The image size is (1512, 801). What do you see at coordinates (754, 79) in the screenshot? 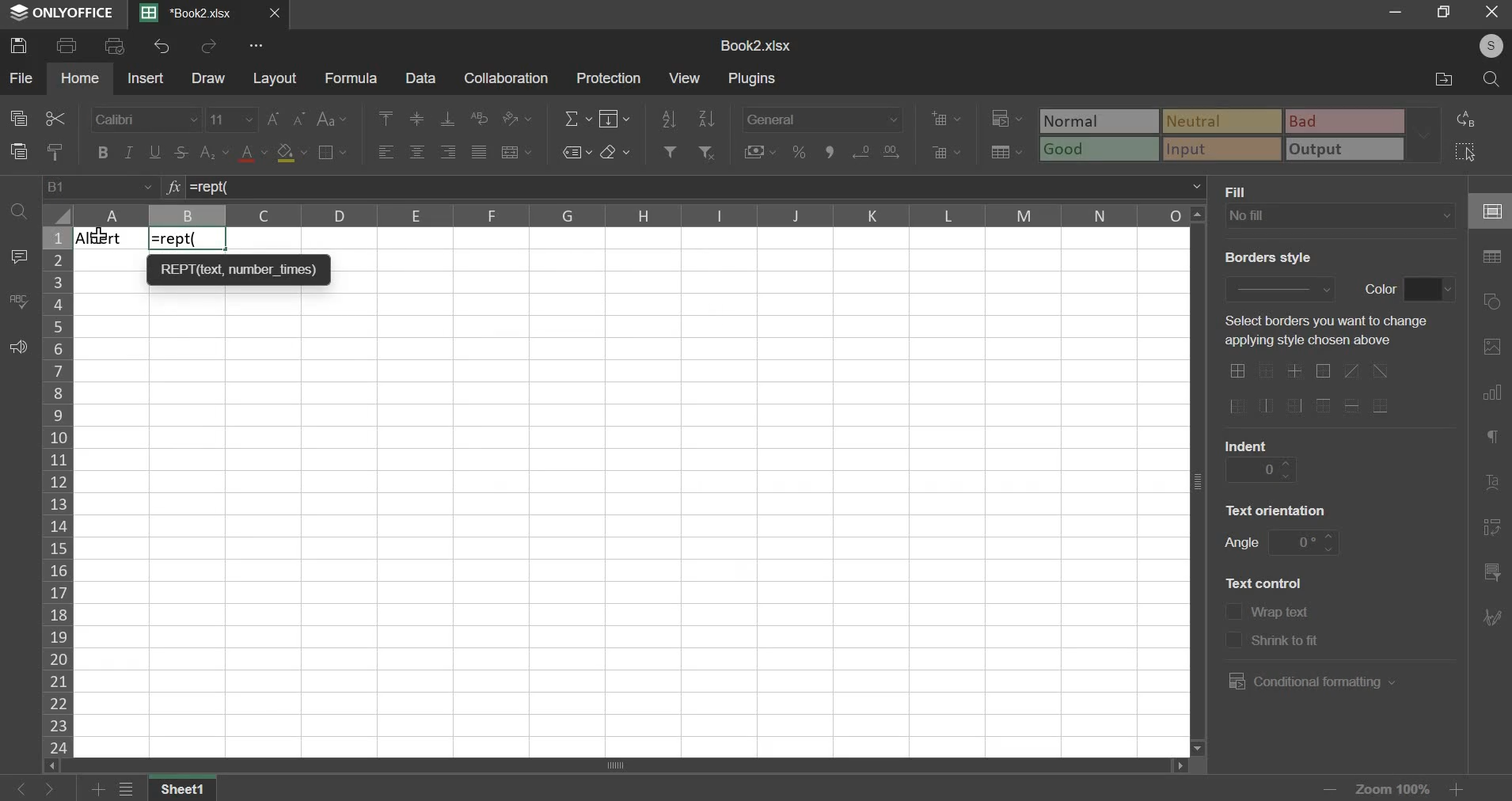
I see `plugins` at bounding box center [754, 79].